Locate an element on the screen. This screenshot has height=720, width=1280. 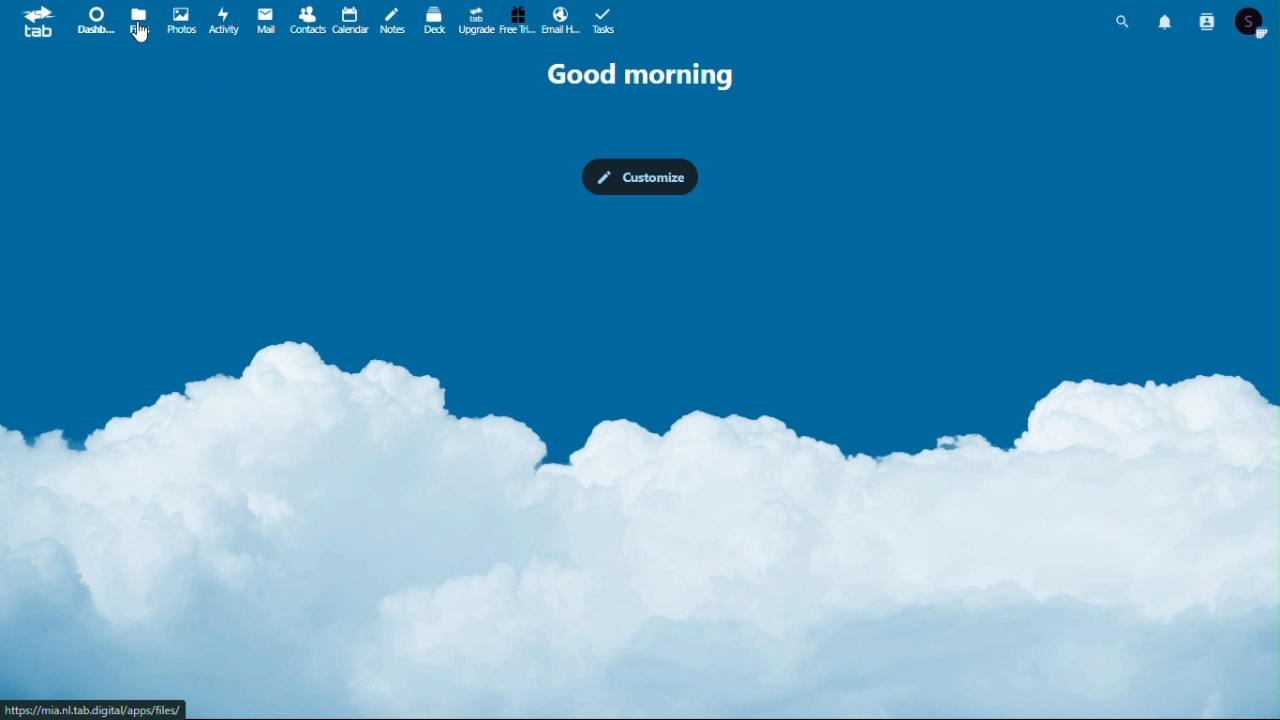
Account icon is located at coordinates (1251, 22).